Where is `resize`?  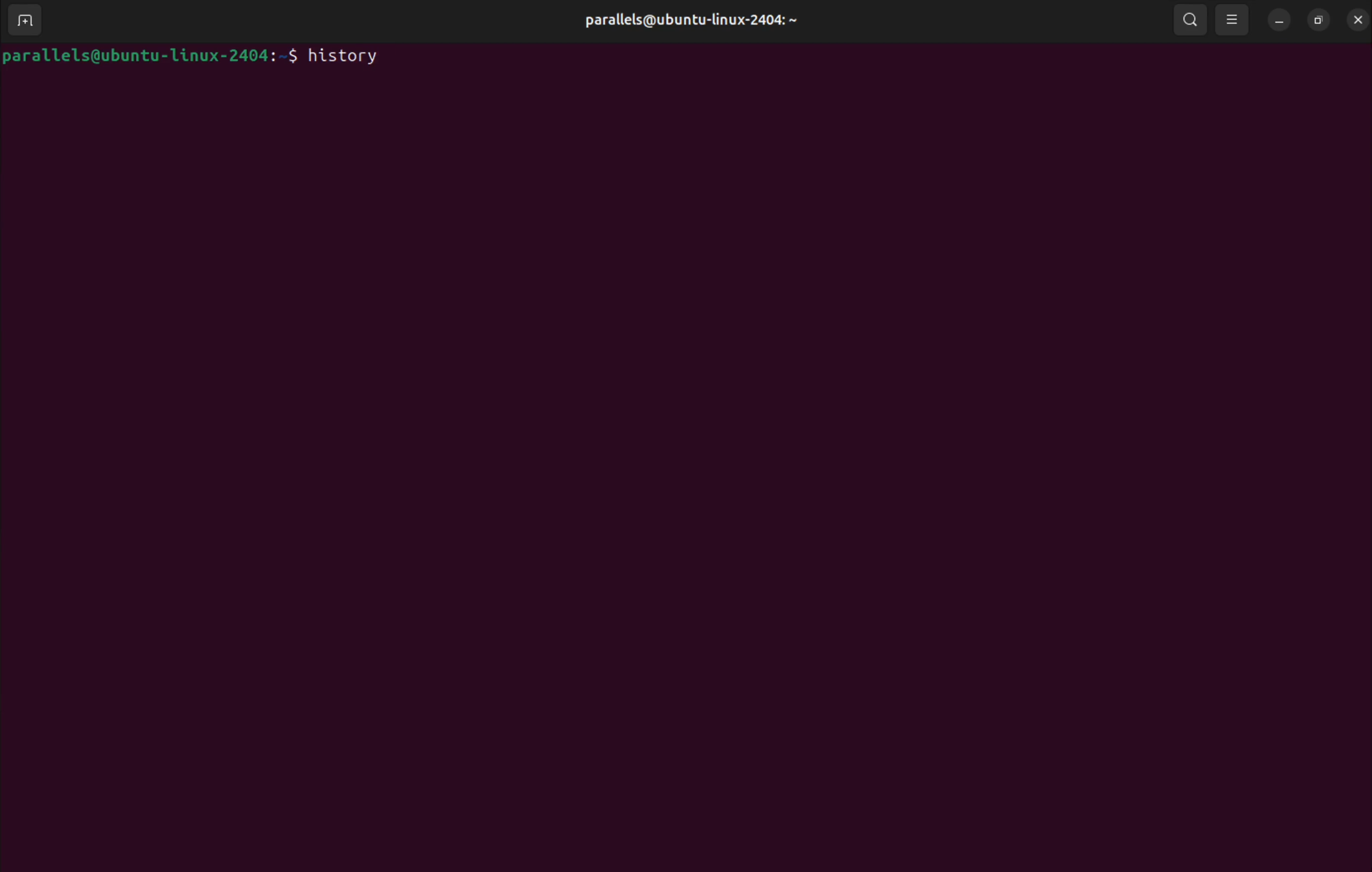 resize is located at coordinates (1318, 19).